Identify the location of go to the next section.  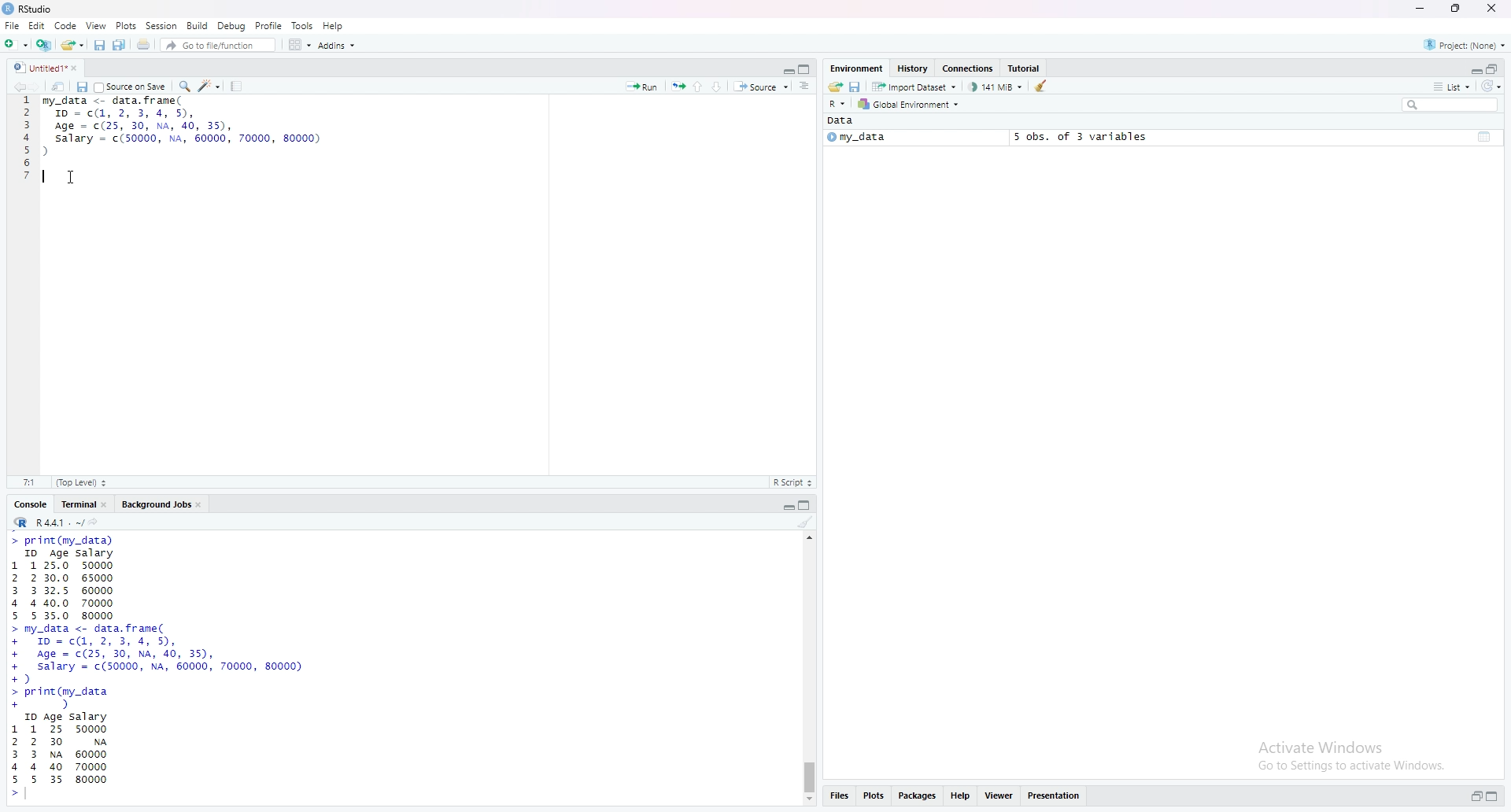
(722, 87).